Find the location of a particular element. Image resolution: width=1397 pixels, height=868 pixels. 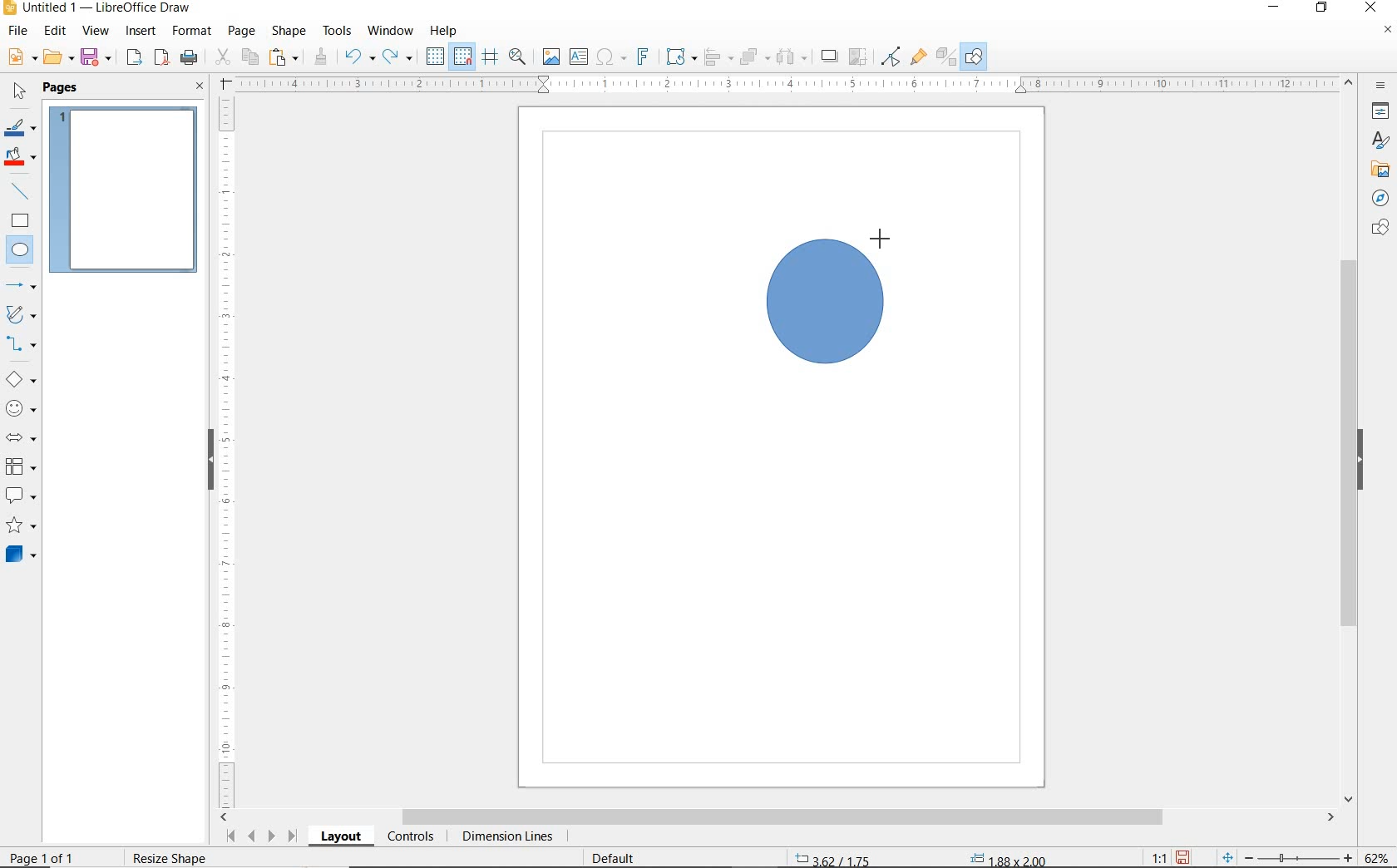

CURSOR is located at coordinates (36, 263).